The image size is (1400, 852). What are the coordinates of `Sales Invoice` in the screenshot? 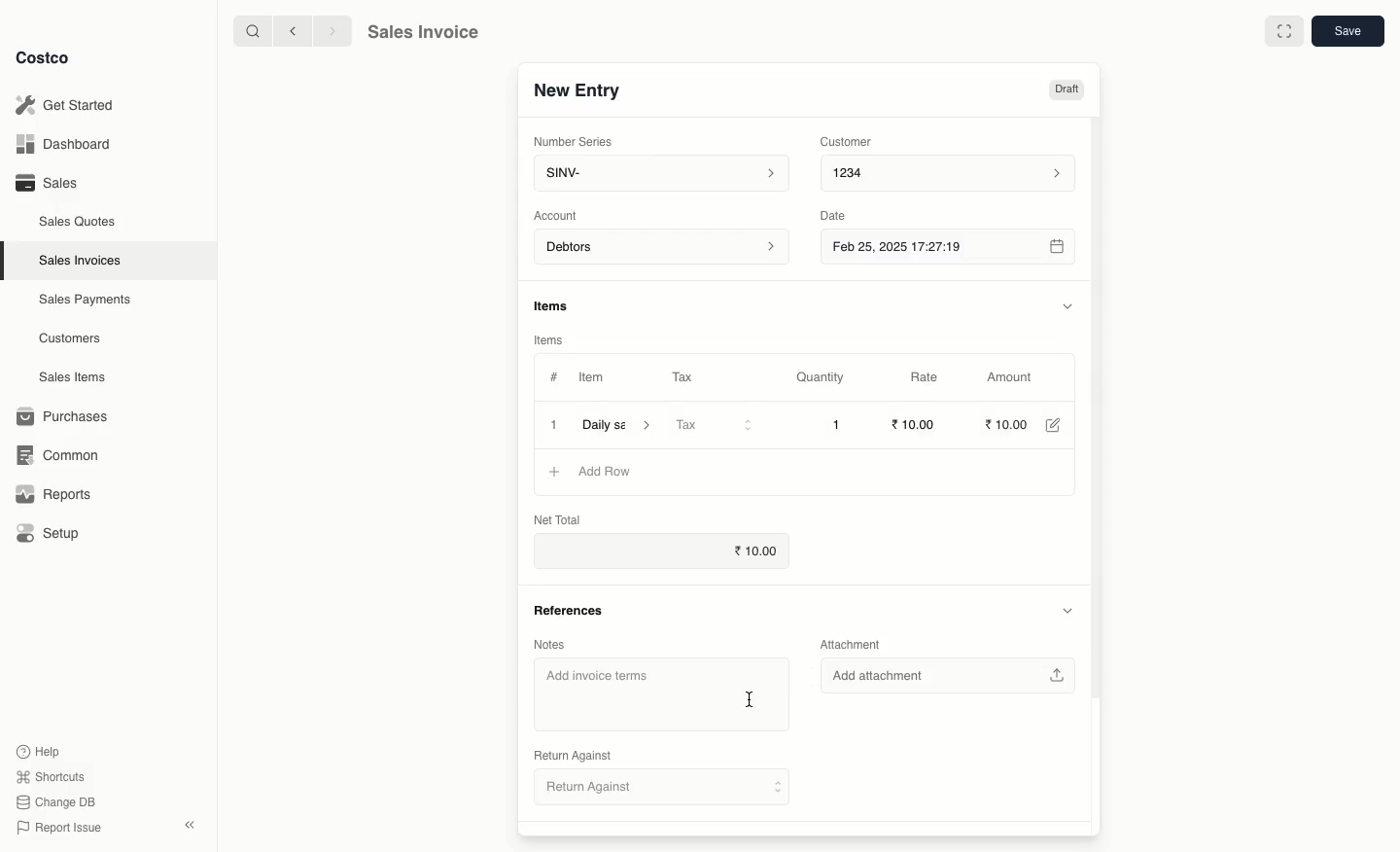 It's located at (427, 32).